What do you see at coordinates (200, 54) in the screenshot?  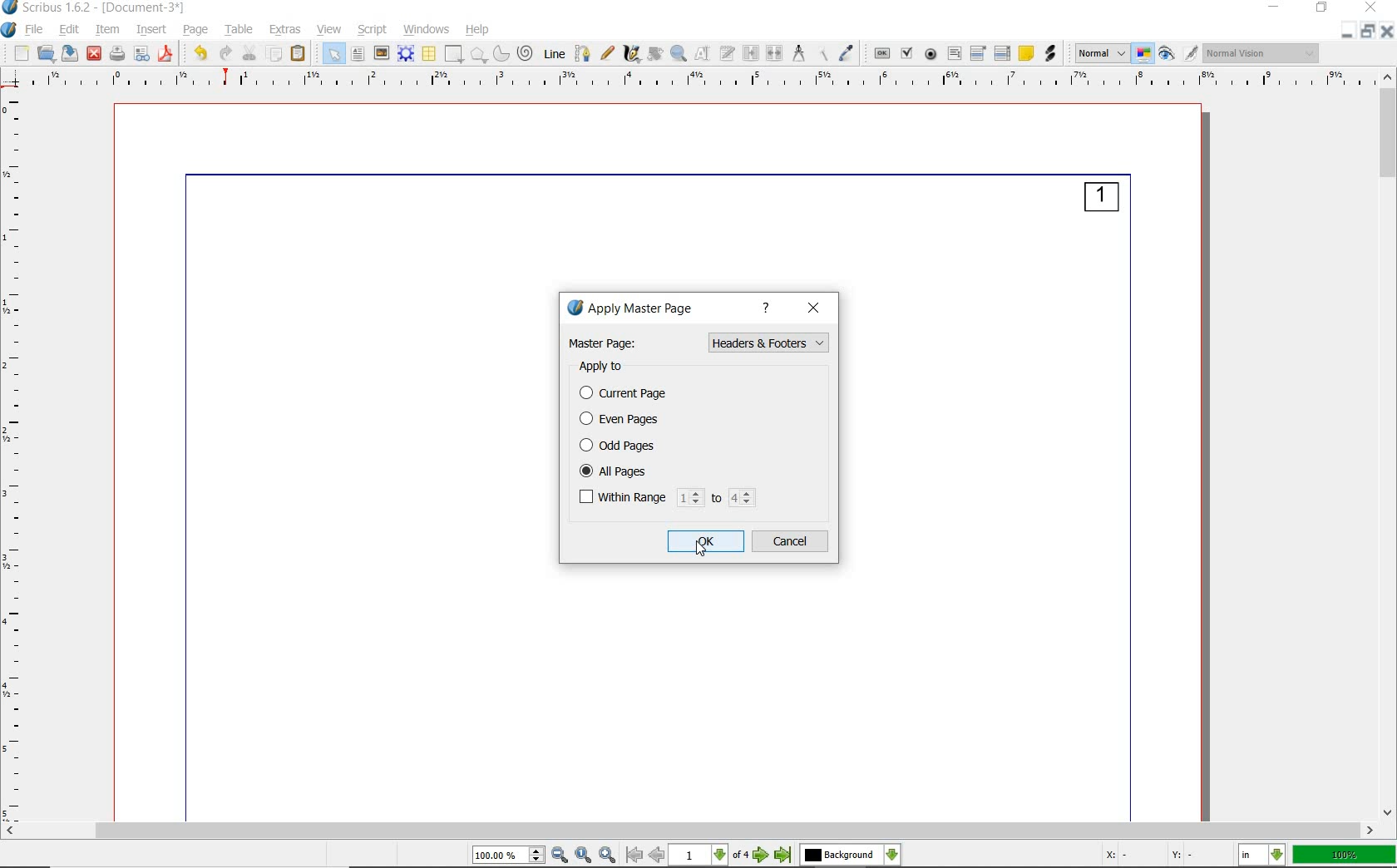 I see `undo` at bounding box center [200, 54].